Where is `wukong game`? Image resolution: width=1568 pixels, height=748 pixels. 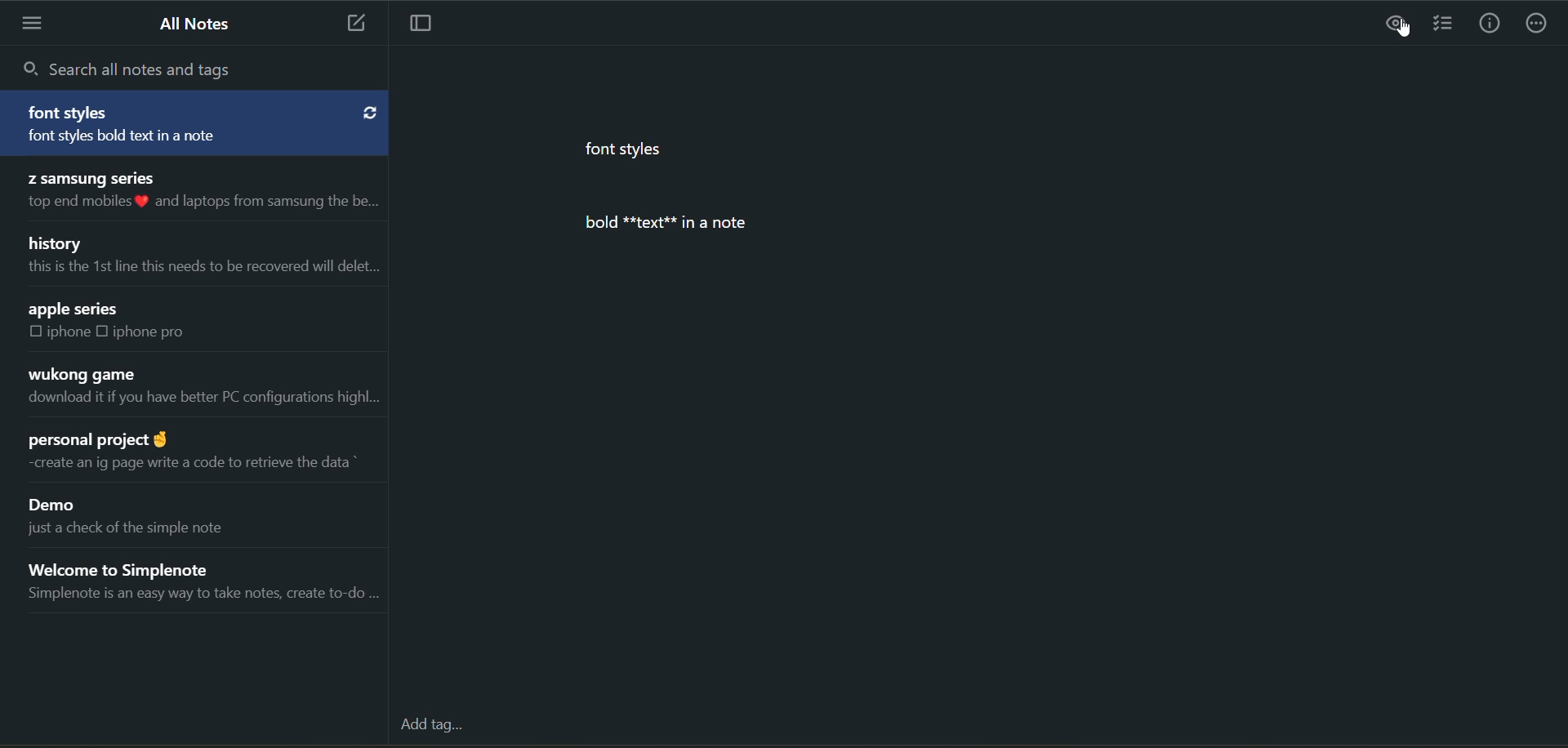
wukong game is located at coordinates (80, 375).